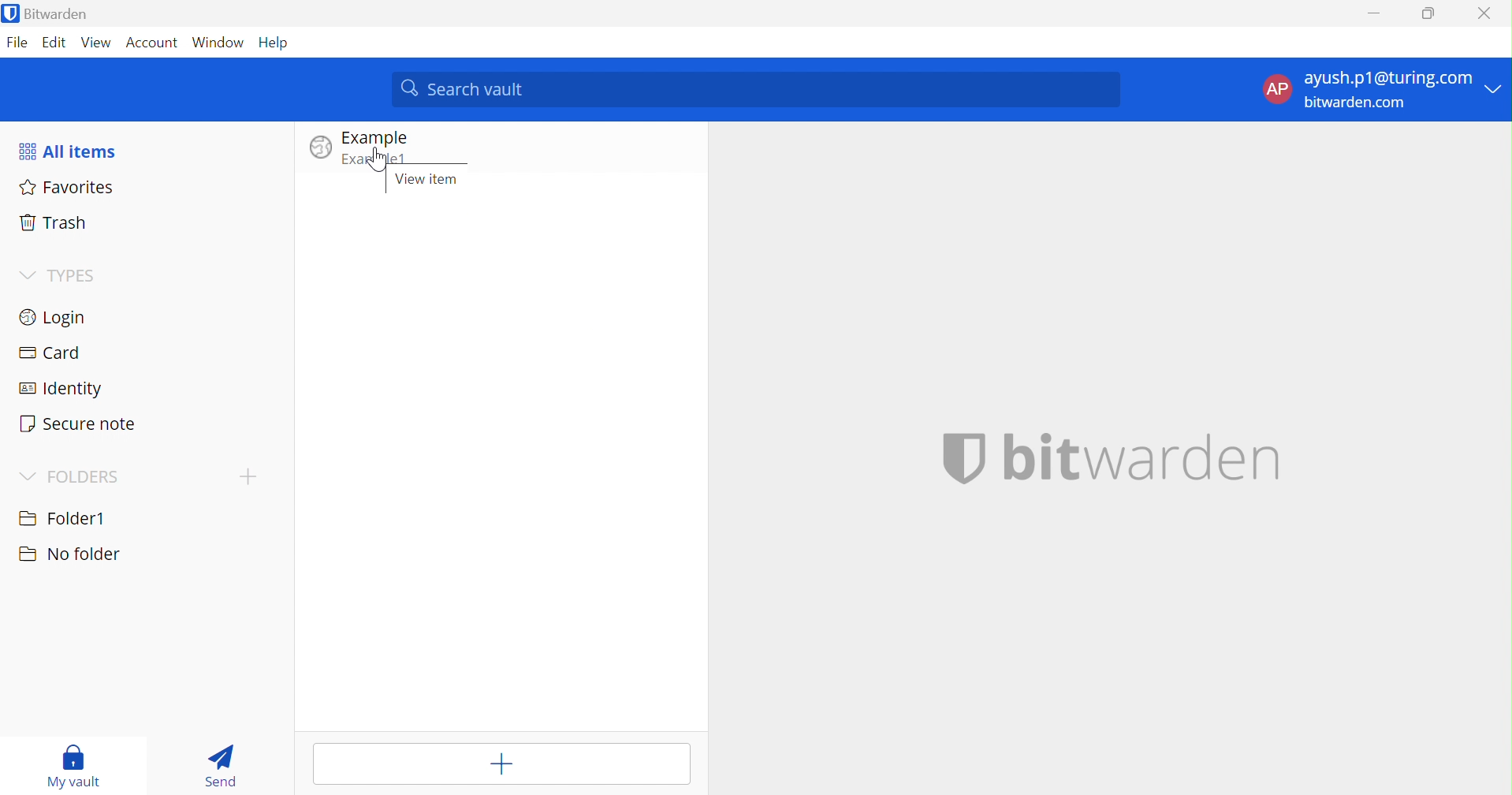  Describe the element at coordinates (218, 42) in the screenshot. I see `Window` at that location.